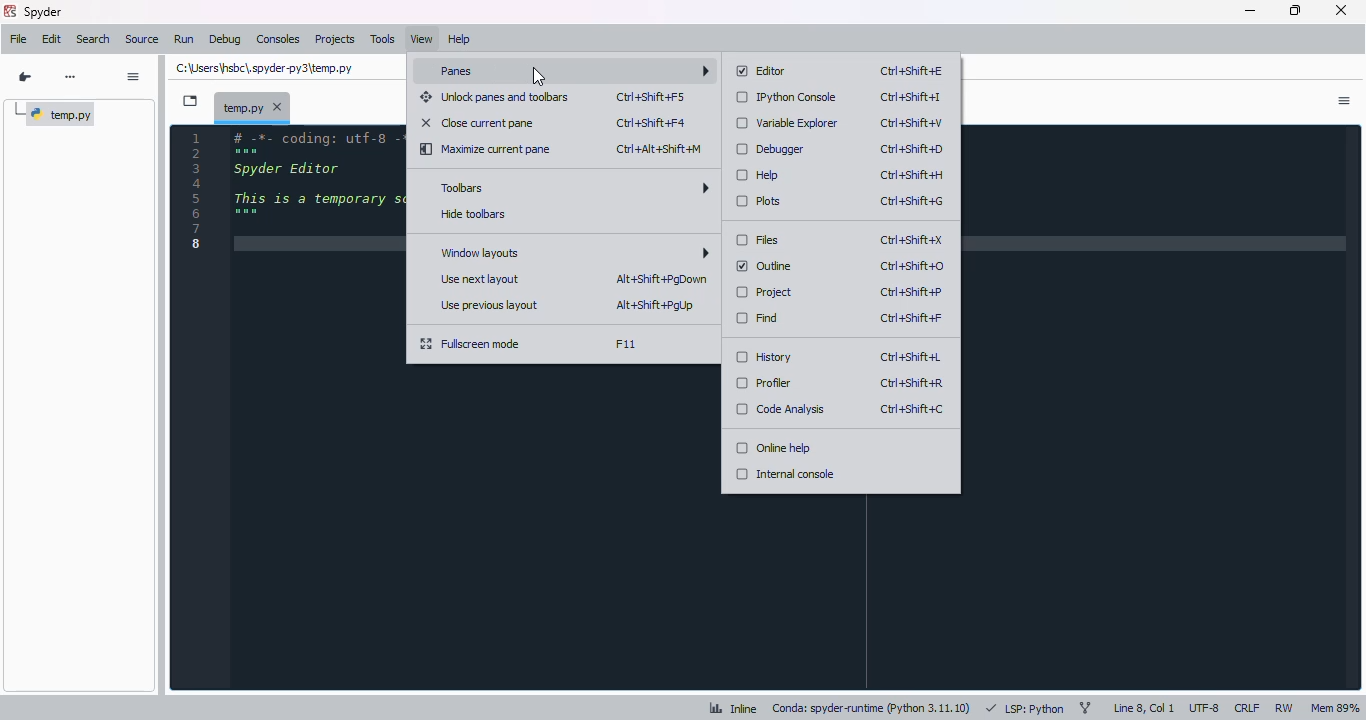 Image resolution: width=1366 pixels, height=720 pixels. I want to click on minimize, so click(1250, 11).